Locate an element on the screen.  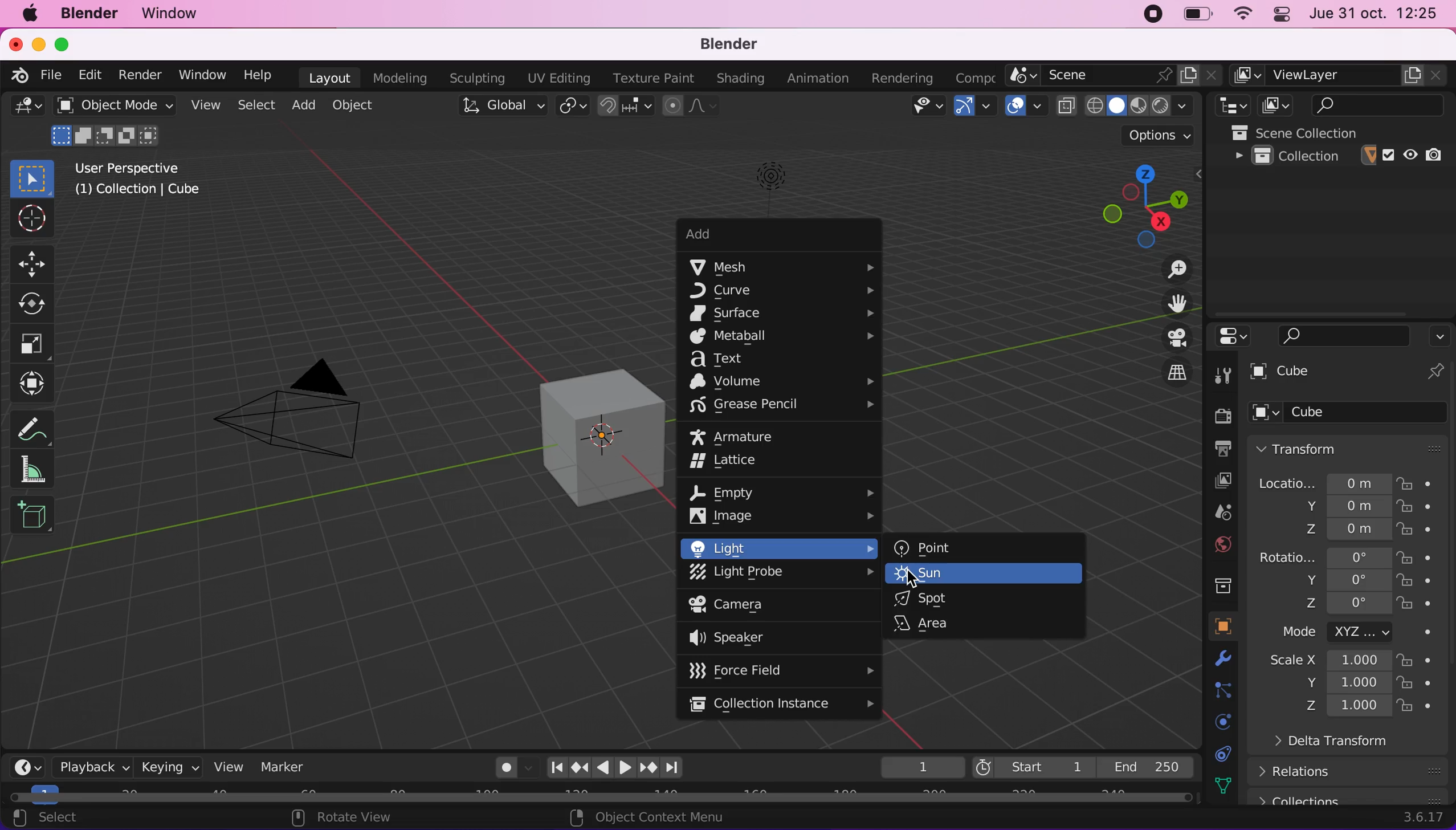
y 1.000 is located at coordinates (1344, 684).